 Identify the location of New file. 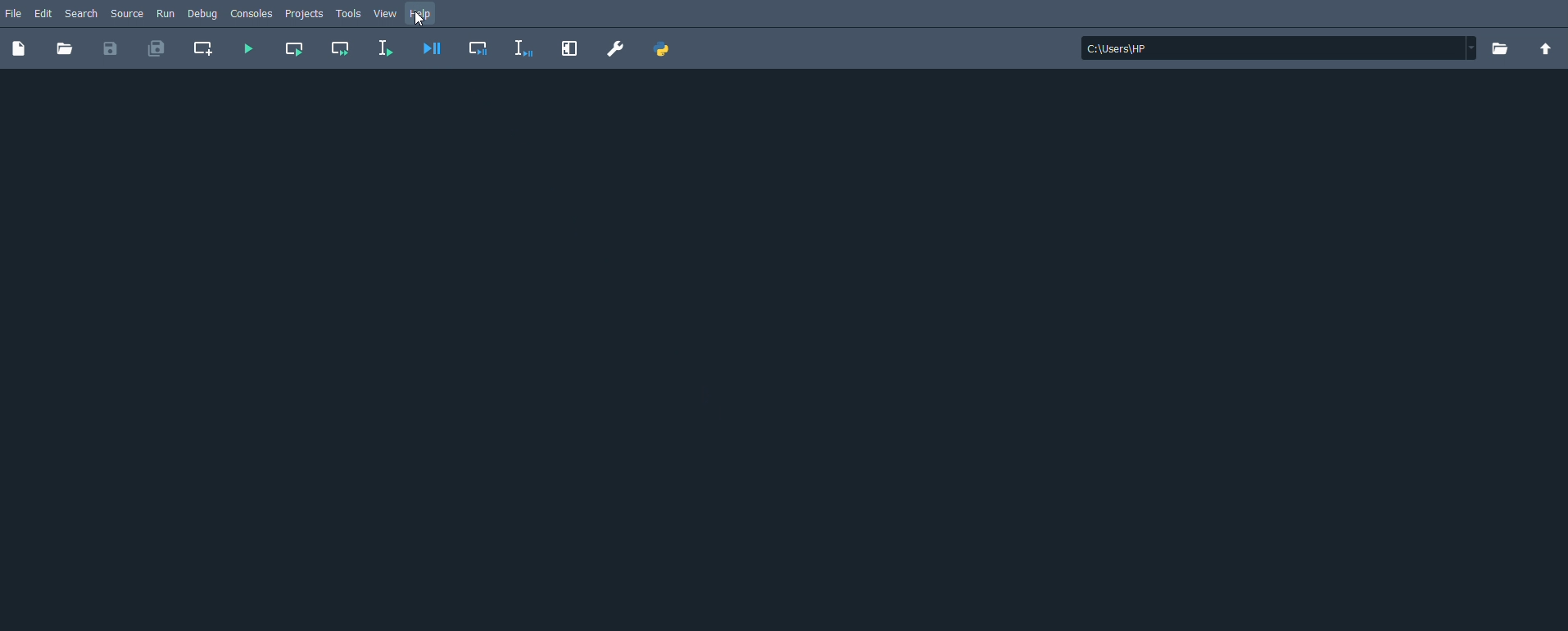
(19, 48).